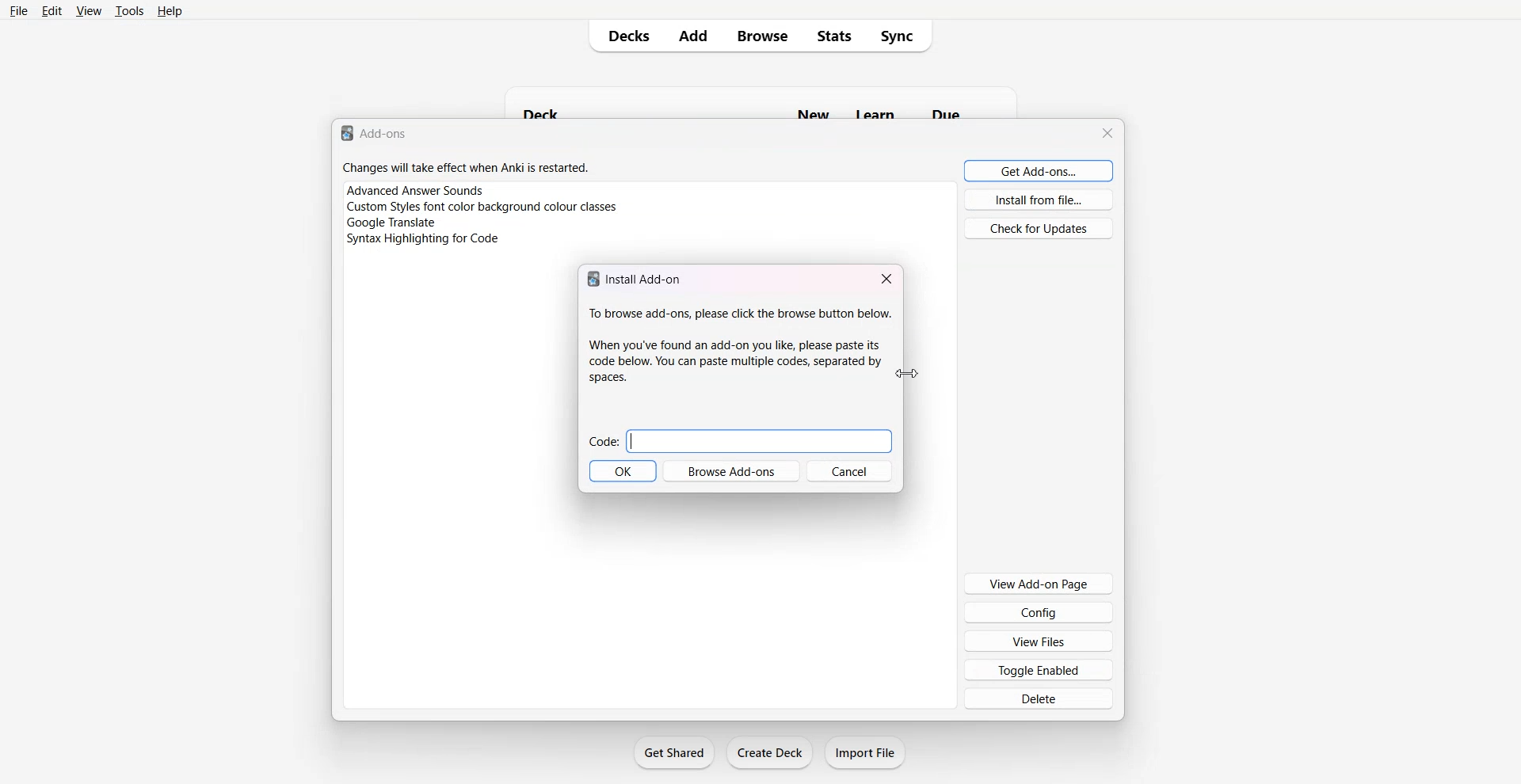 Image resolution: width=1521 pixels, height=784 pixels. I want to click on custom styles font color background colour classes, so click(483, 207).